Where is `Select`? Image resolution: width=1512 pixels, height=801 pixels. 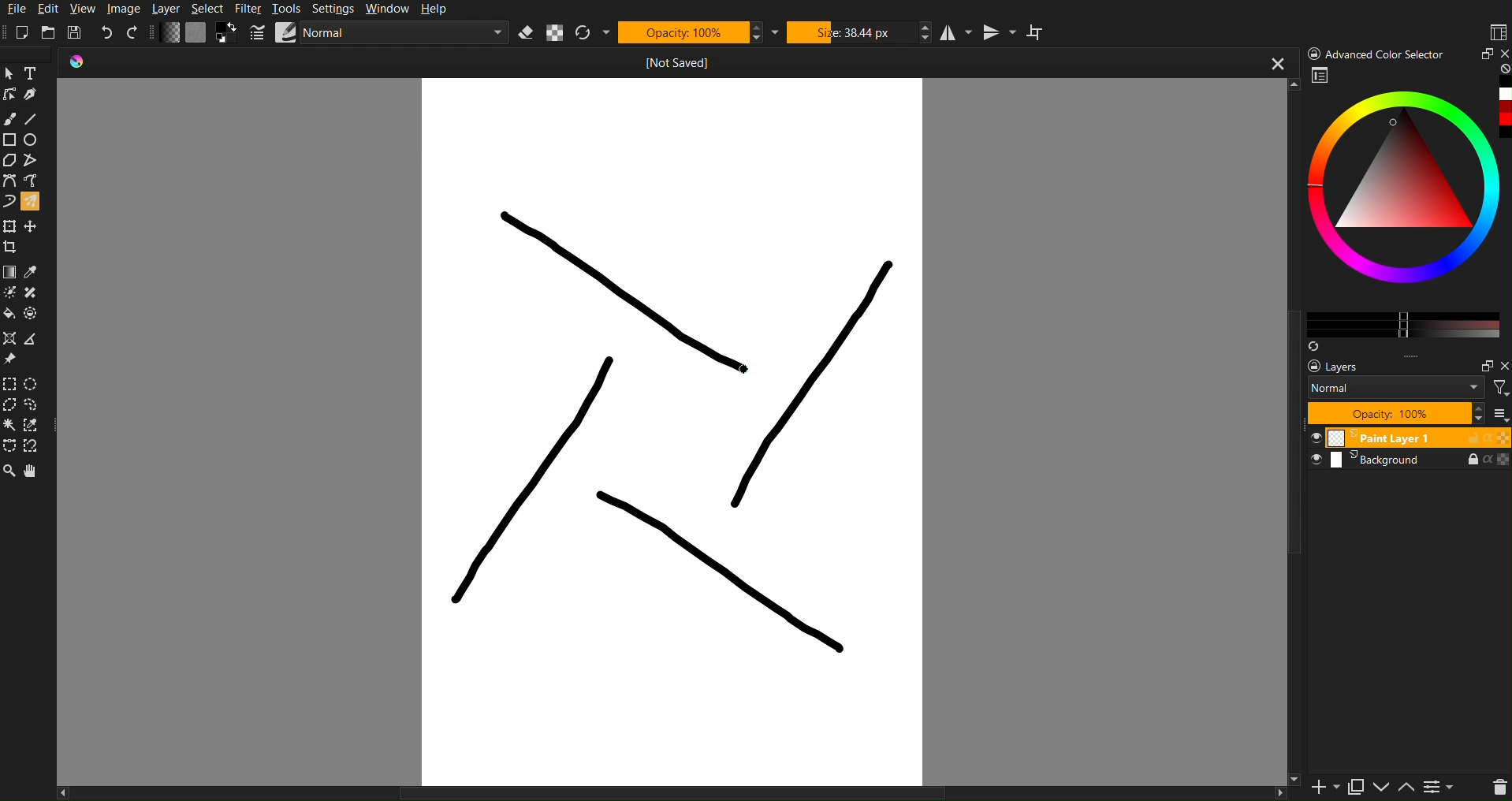 Select is located at coordinates (210, 9).